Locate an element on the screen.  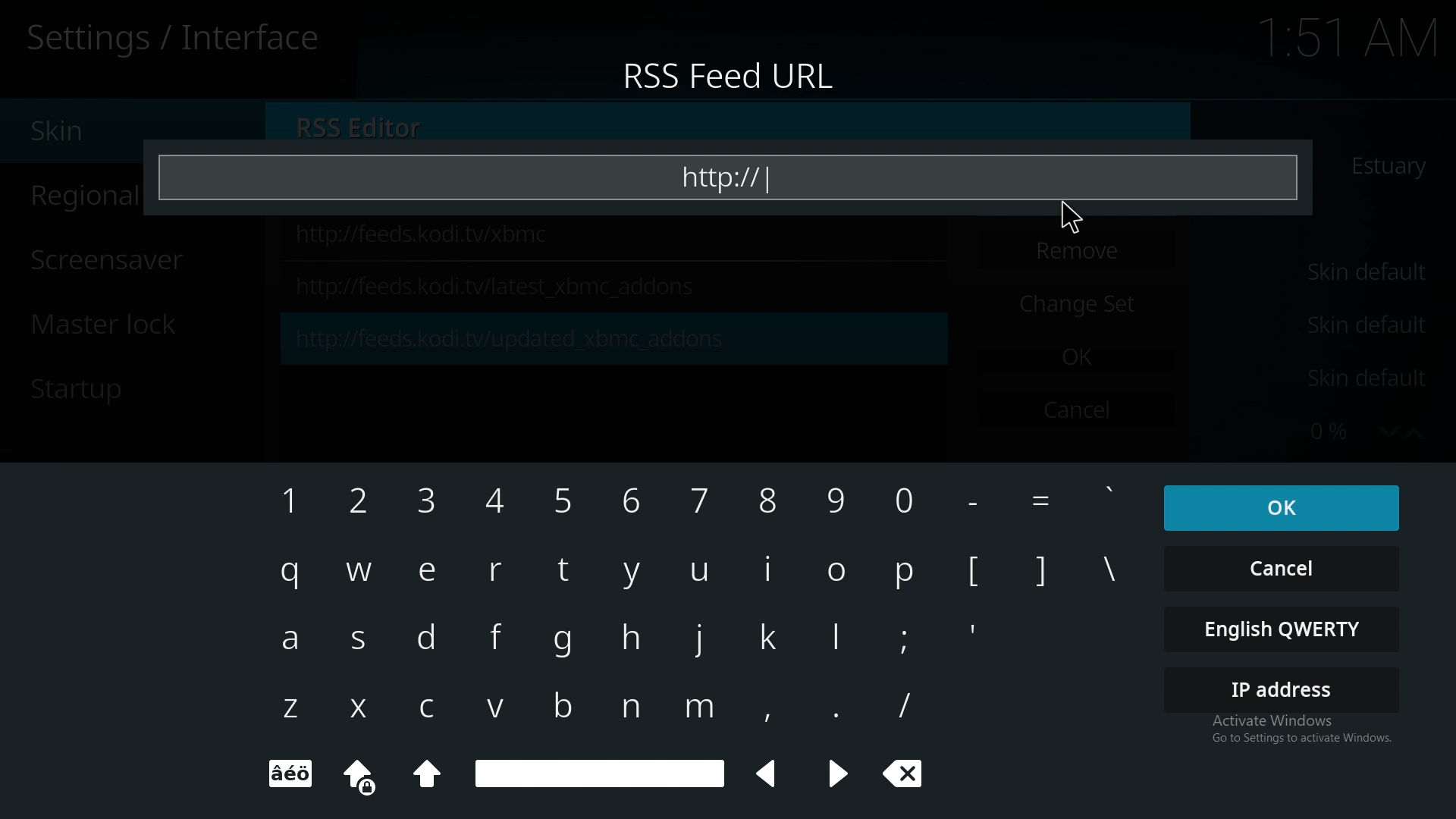
keyboard Input is located at coordinates (836, 635).